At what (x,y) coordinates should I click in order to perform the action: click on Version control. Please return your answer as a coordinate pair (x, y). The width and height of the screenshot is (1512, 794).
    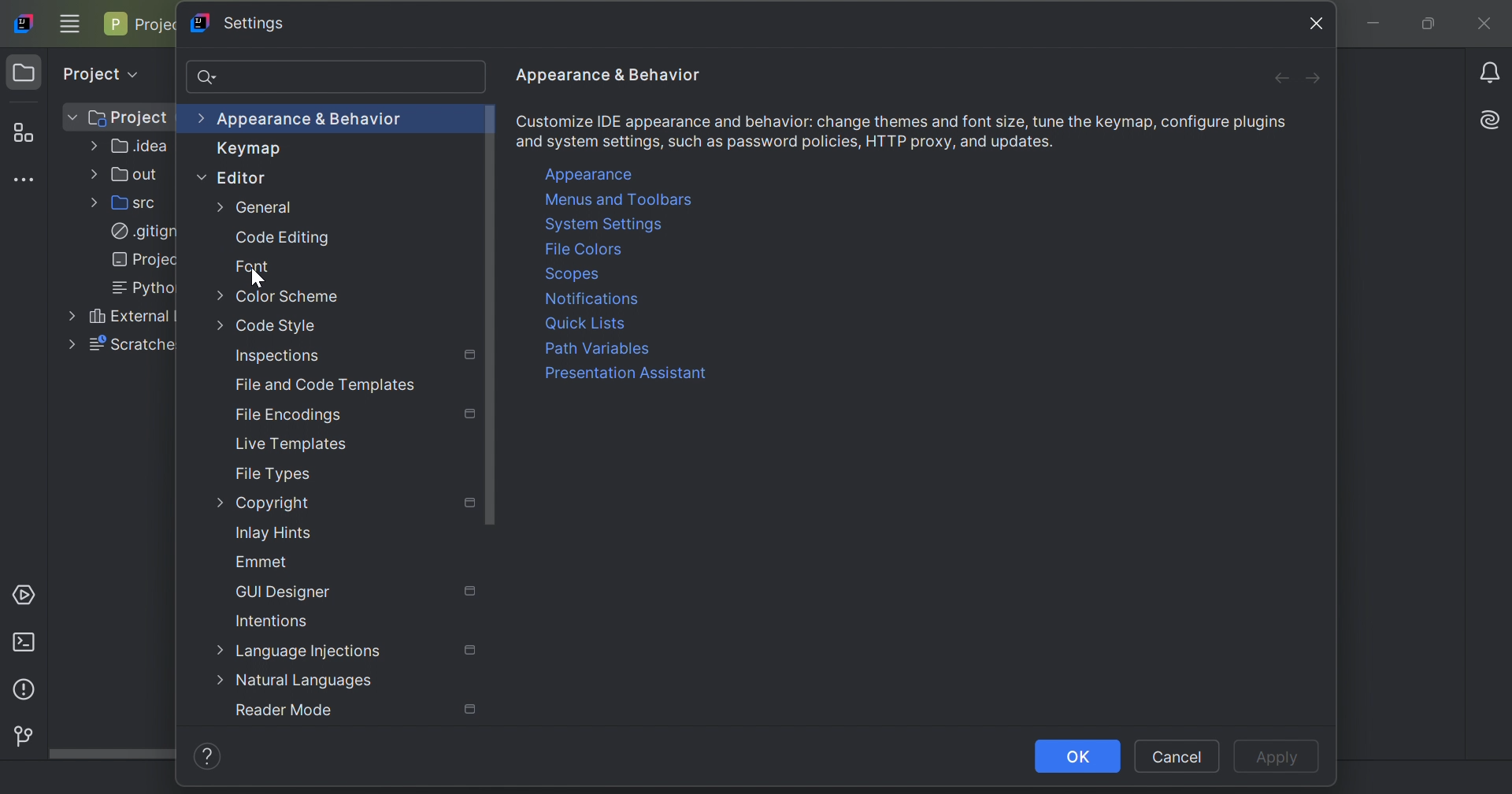
    Looking at the image, I should click on (20, 734).